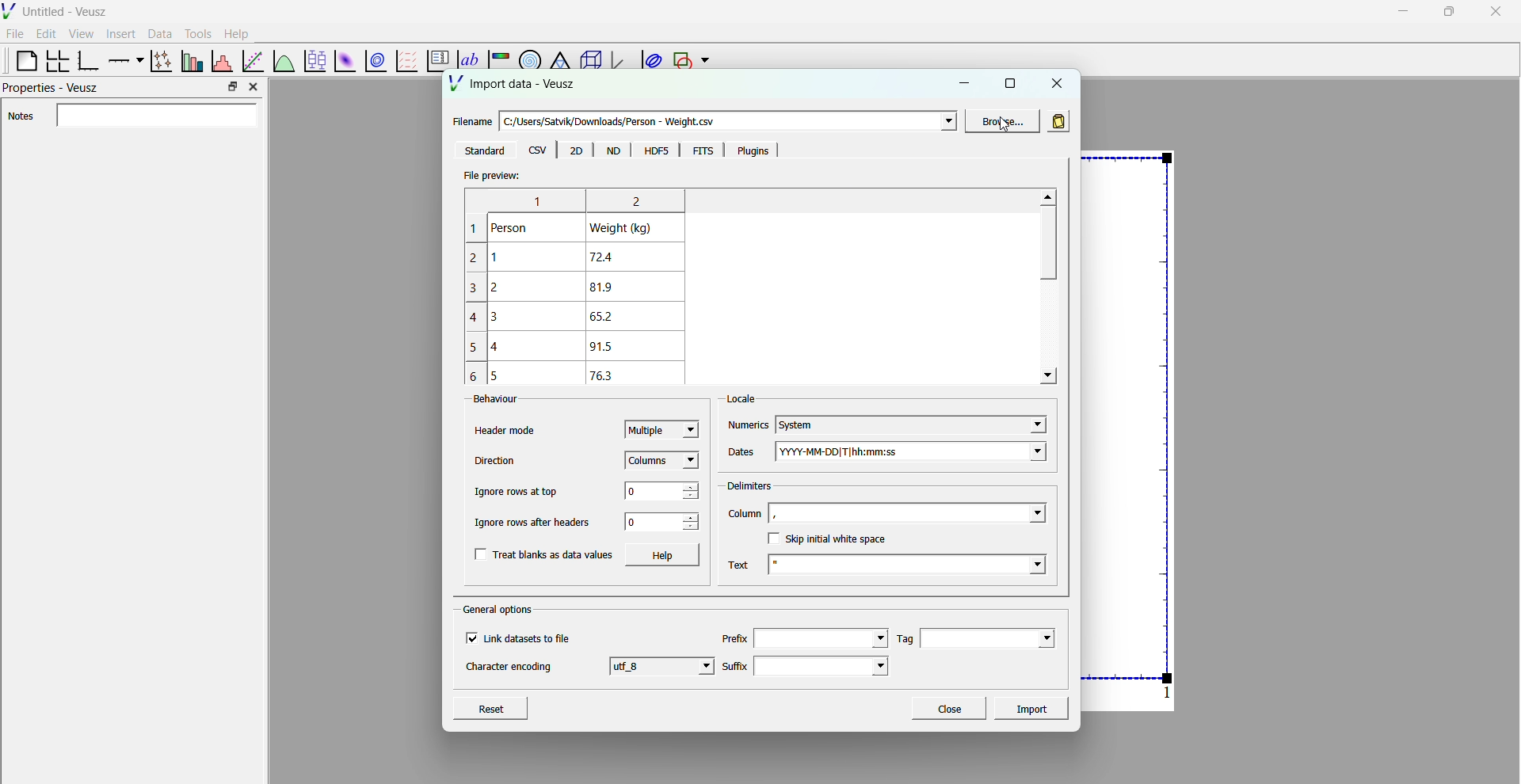  I want to click on plot 2d dataset as an image, so click(342, 61).